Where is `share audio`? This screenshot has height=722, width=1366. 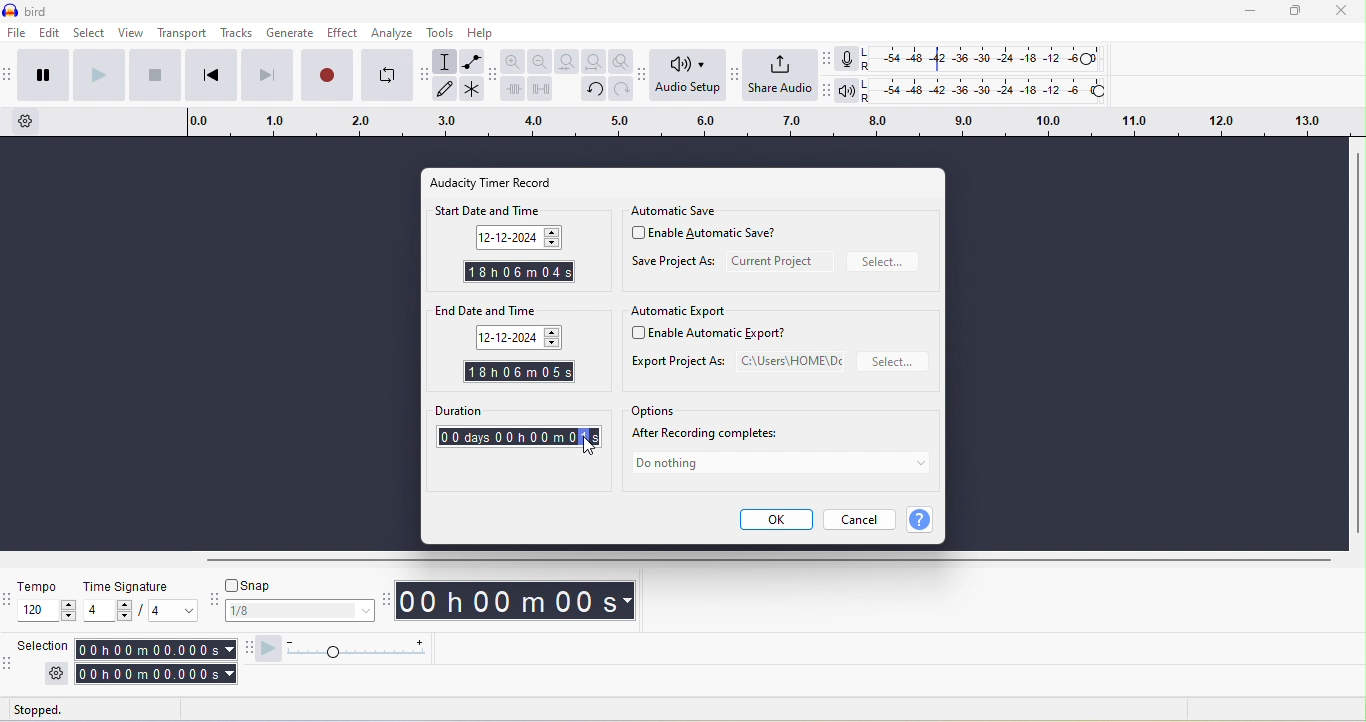
share audio is located at coordinates (777, 76).